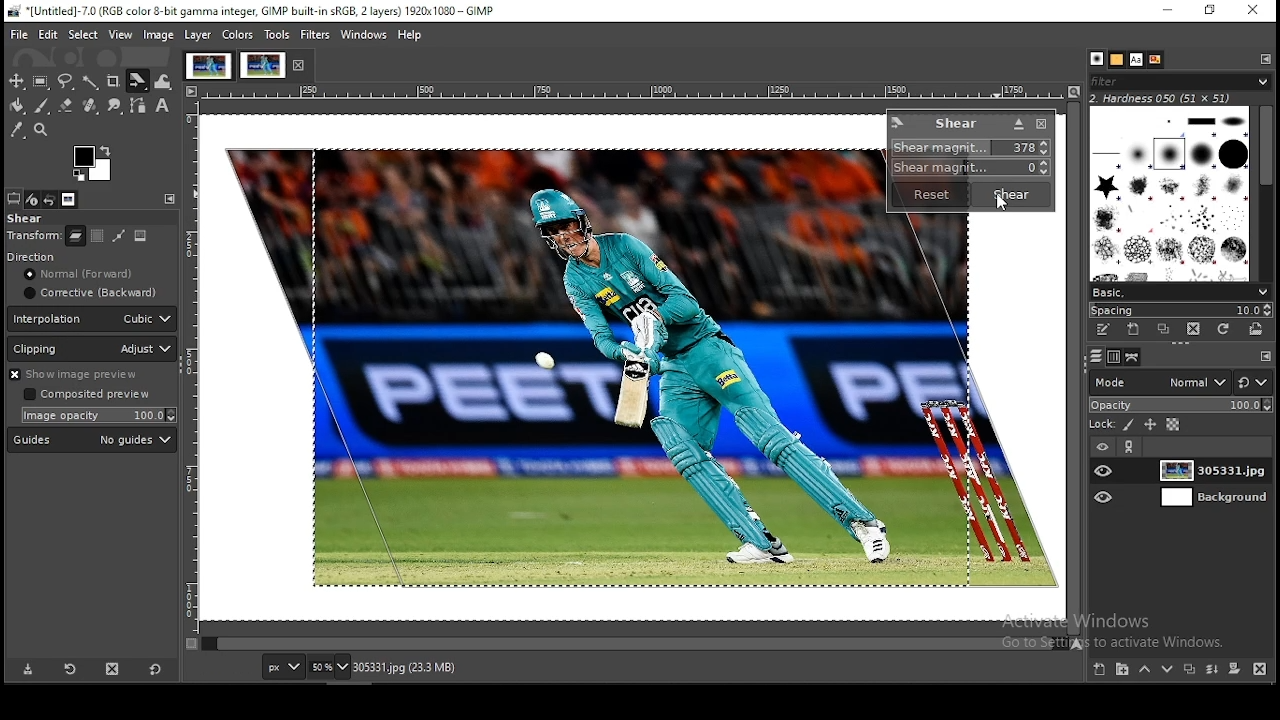 Image resolution: width=1280 pixels, height=720 pixels. What do you see at coordinates (600, 372) in the screenshot?
I see `image` at bounding box center [600, 372].